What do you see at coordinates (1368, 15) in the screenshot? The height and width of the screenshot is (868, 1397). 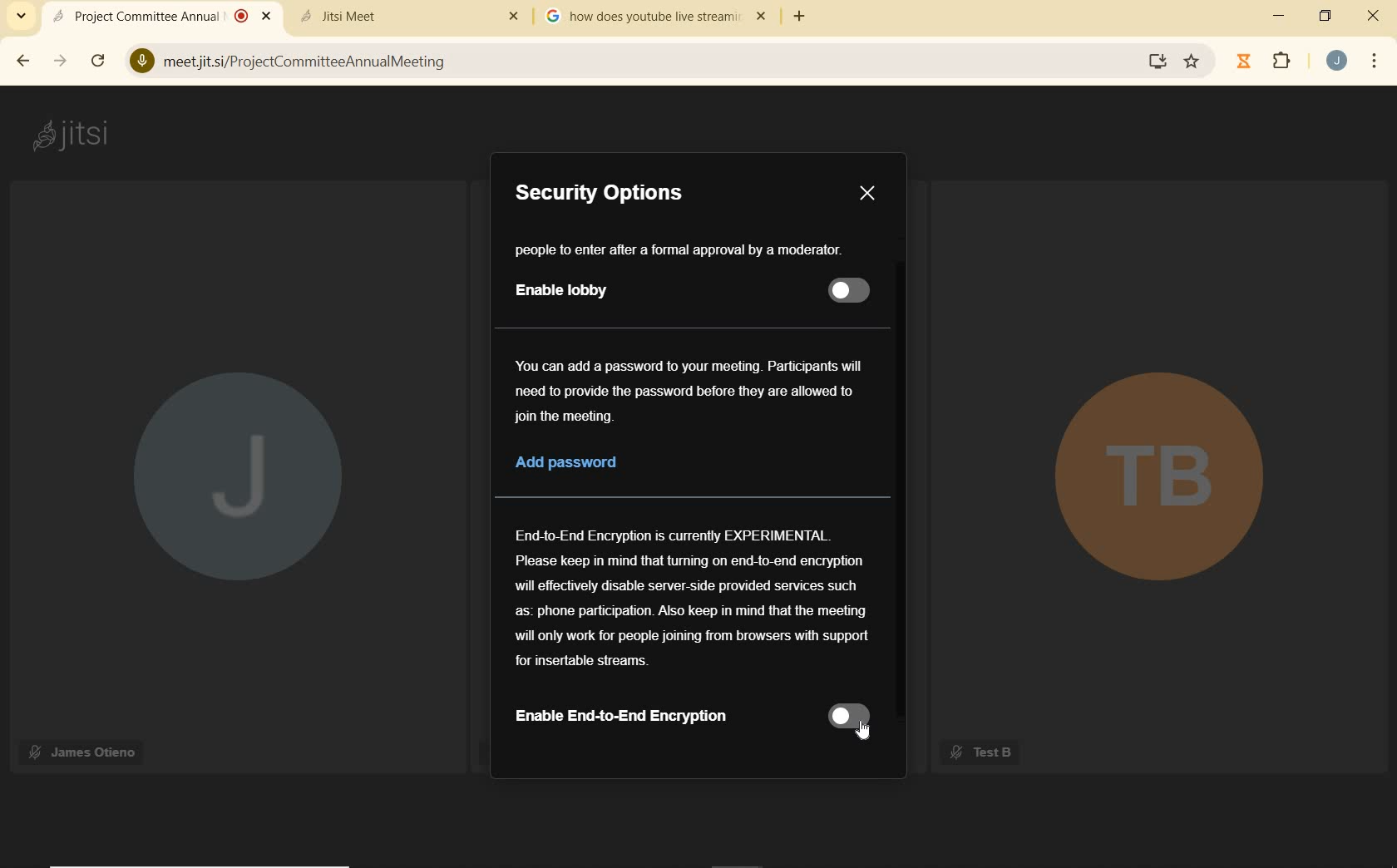 I see `CLOSE` at bounding box center [1368, 15].